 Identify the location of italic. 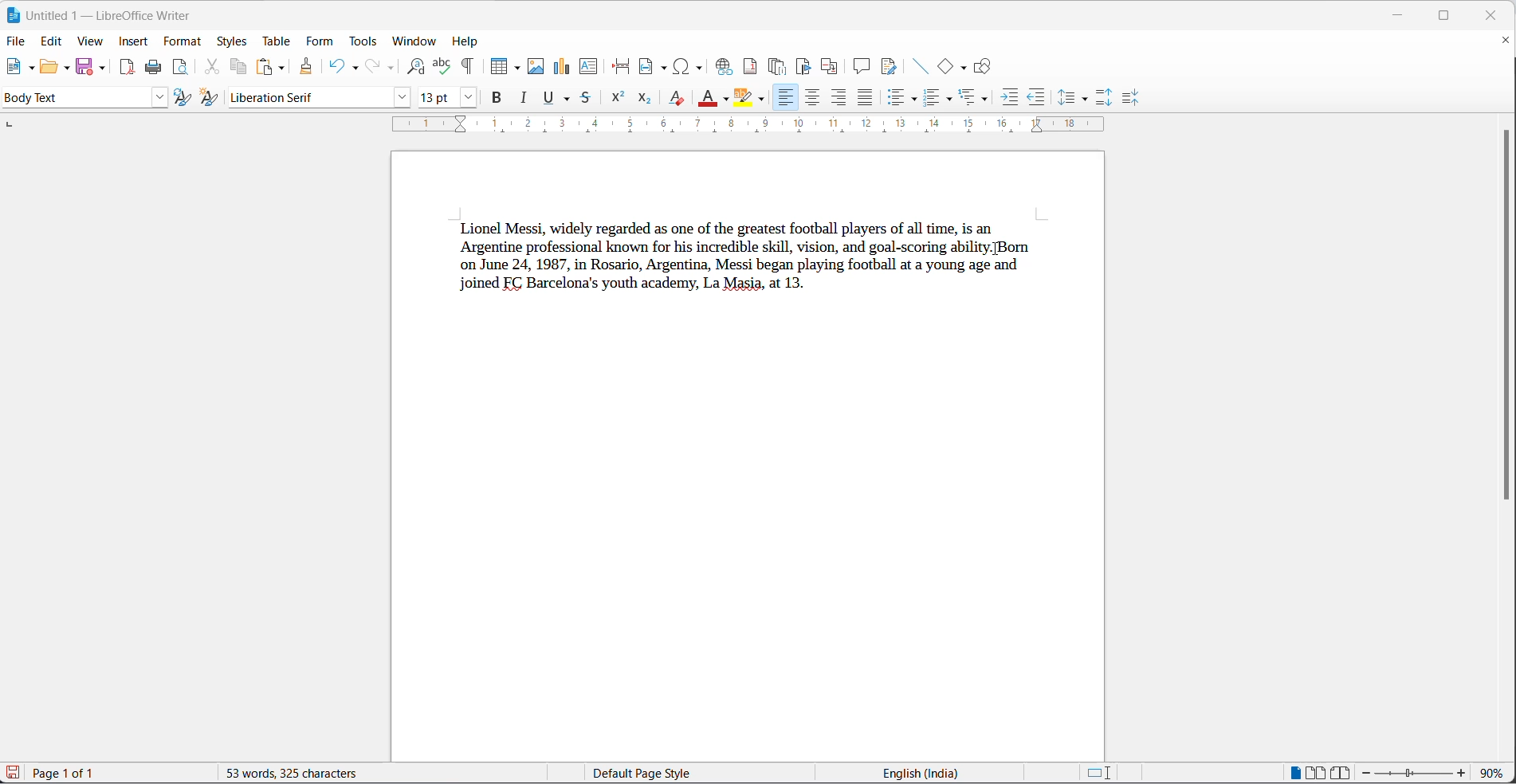
(523, 98).